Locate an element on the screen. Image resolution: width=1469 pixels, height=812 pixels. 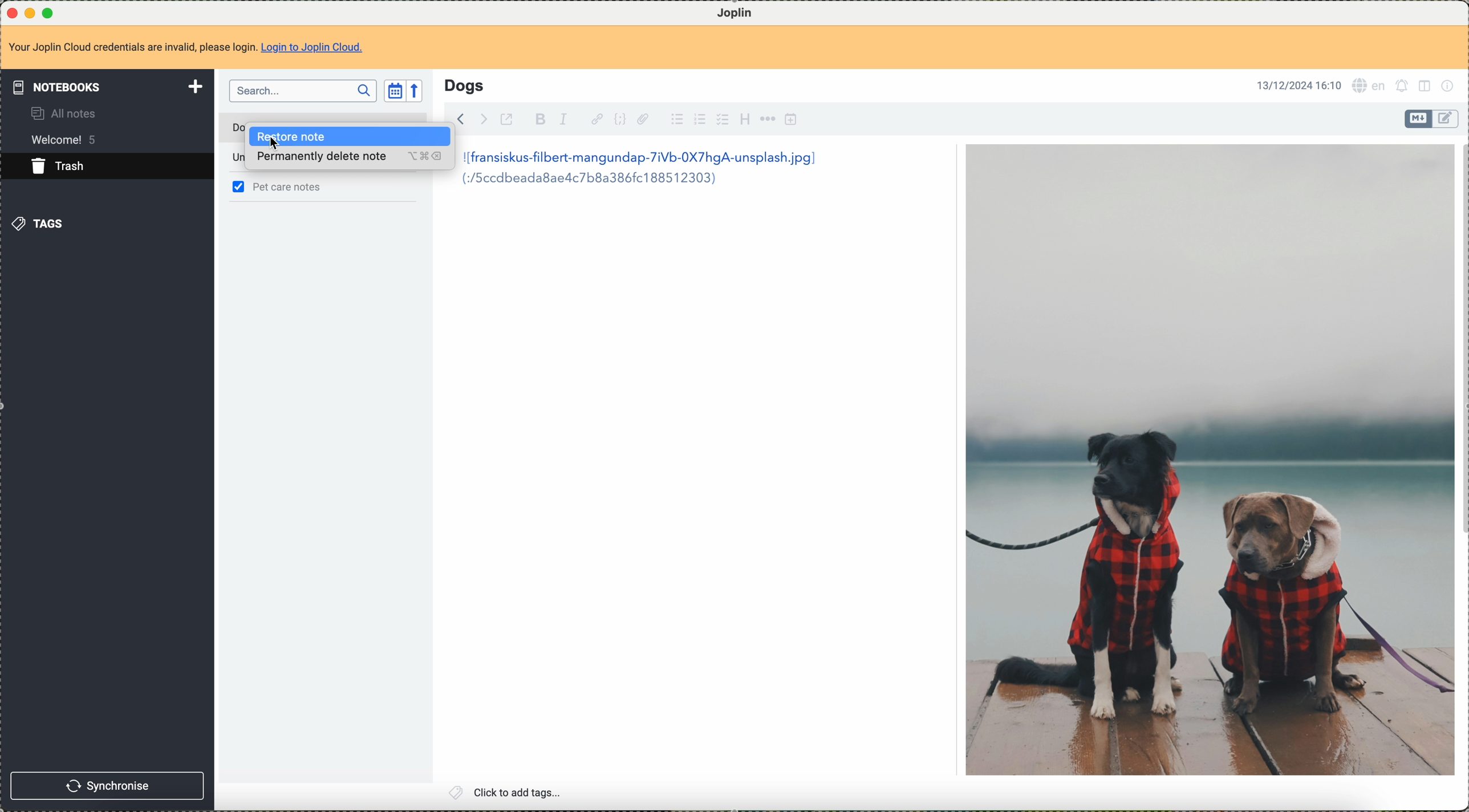
bold is located at coordinates (540, 120).